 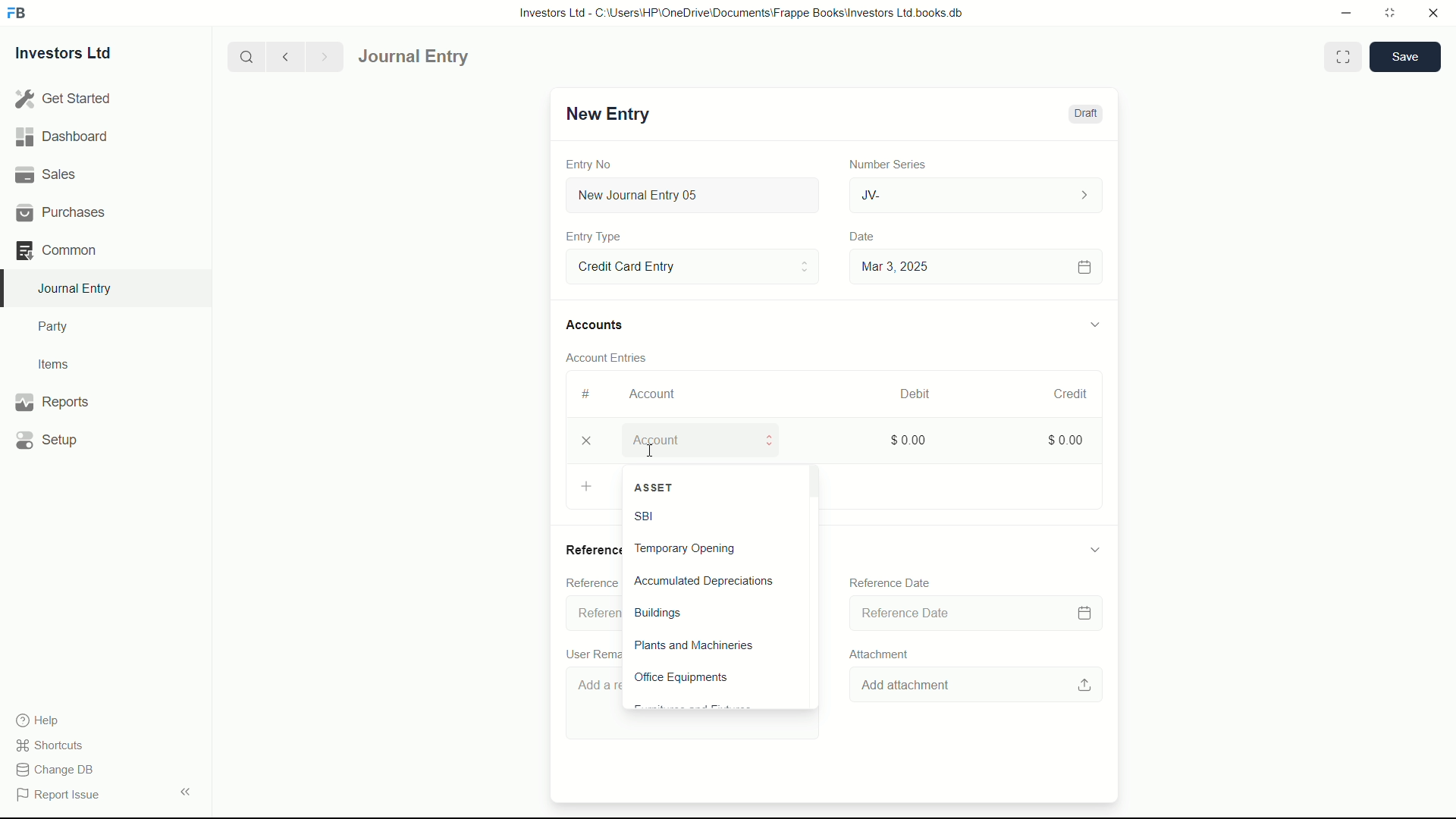 I want to click on Account Entries, so click(x=613, y=355).